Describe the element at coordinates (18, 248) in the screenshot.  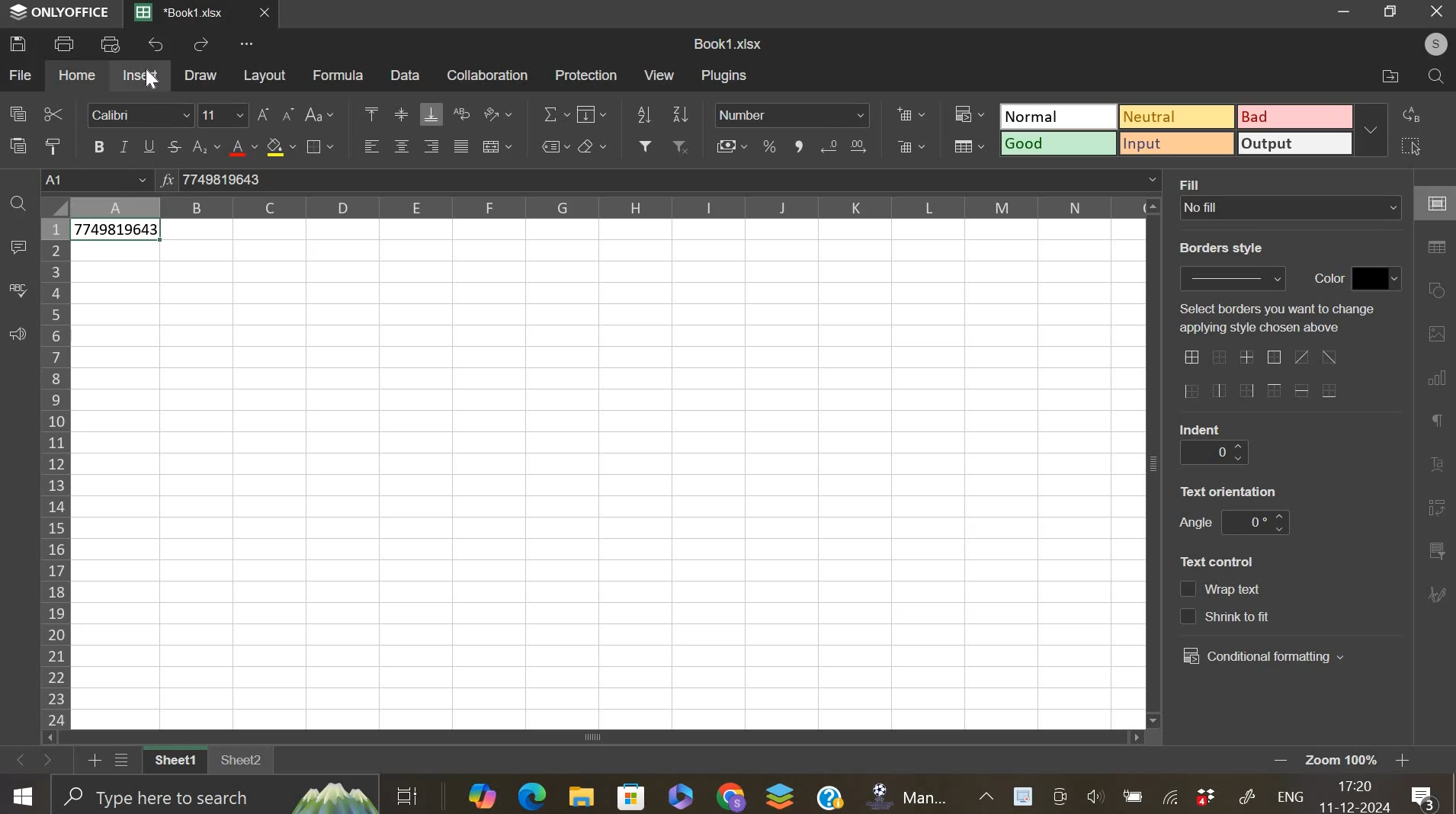
I see `comment` at that location.